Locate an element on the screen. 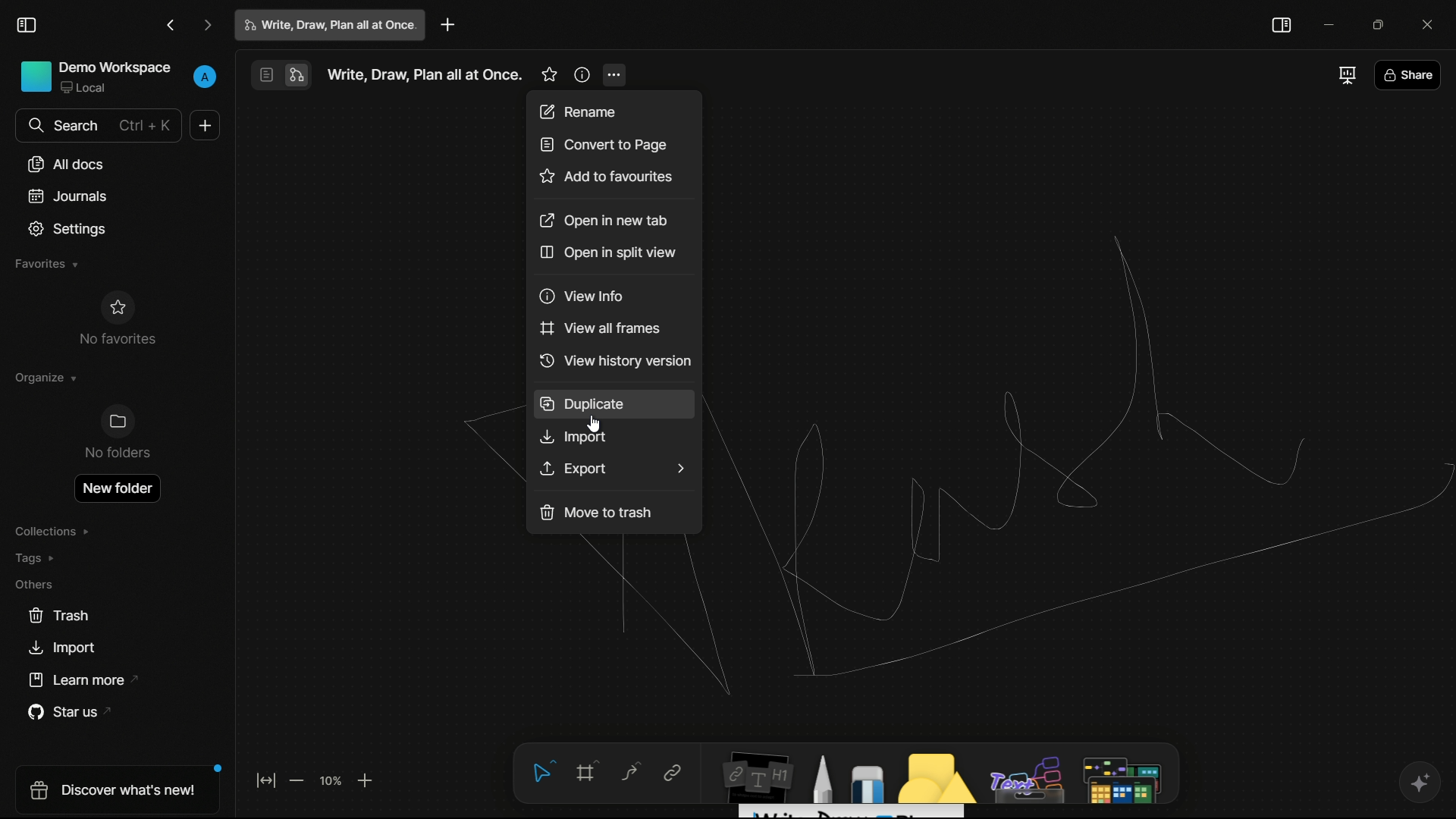 The image size is (1456, 819). open new folder is located at coordinates (115, 489).